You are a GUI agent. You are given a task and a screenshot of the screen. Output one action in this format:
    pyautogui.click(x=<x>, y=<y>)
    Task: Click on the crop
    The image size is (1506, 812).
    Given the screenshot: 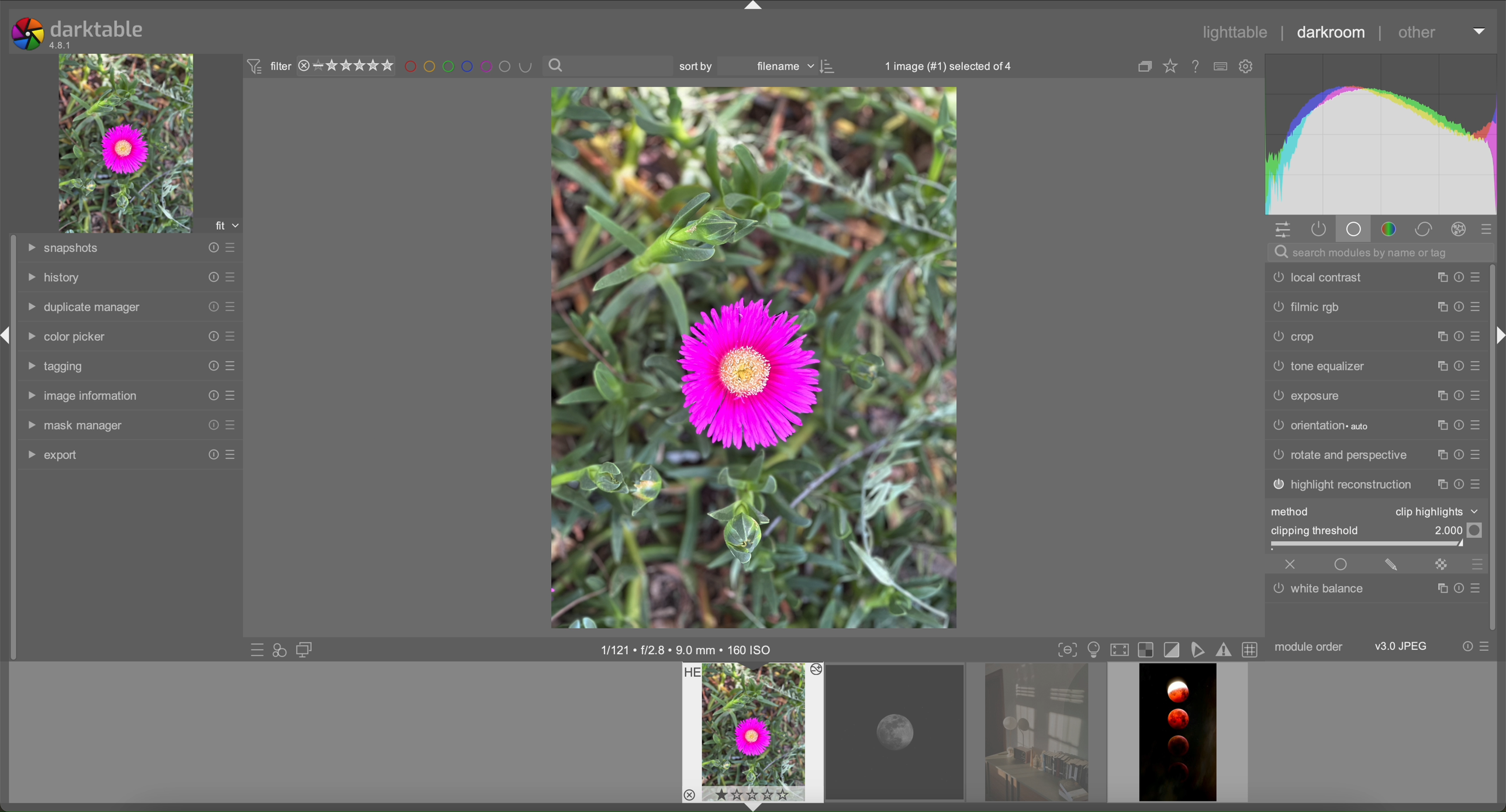 What is the action you would take?
    pyautogui.click(x=1296, y=336)
    